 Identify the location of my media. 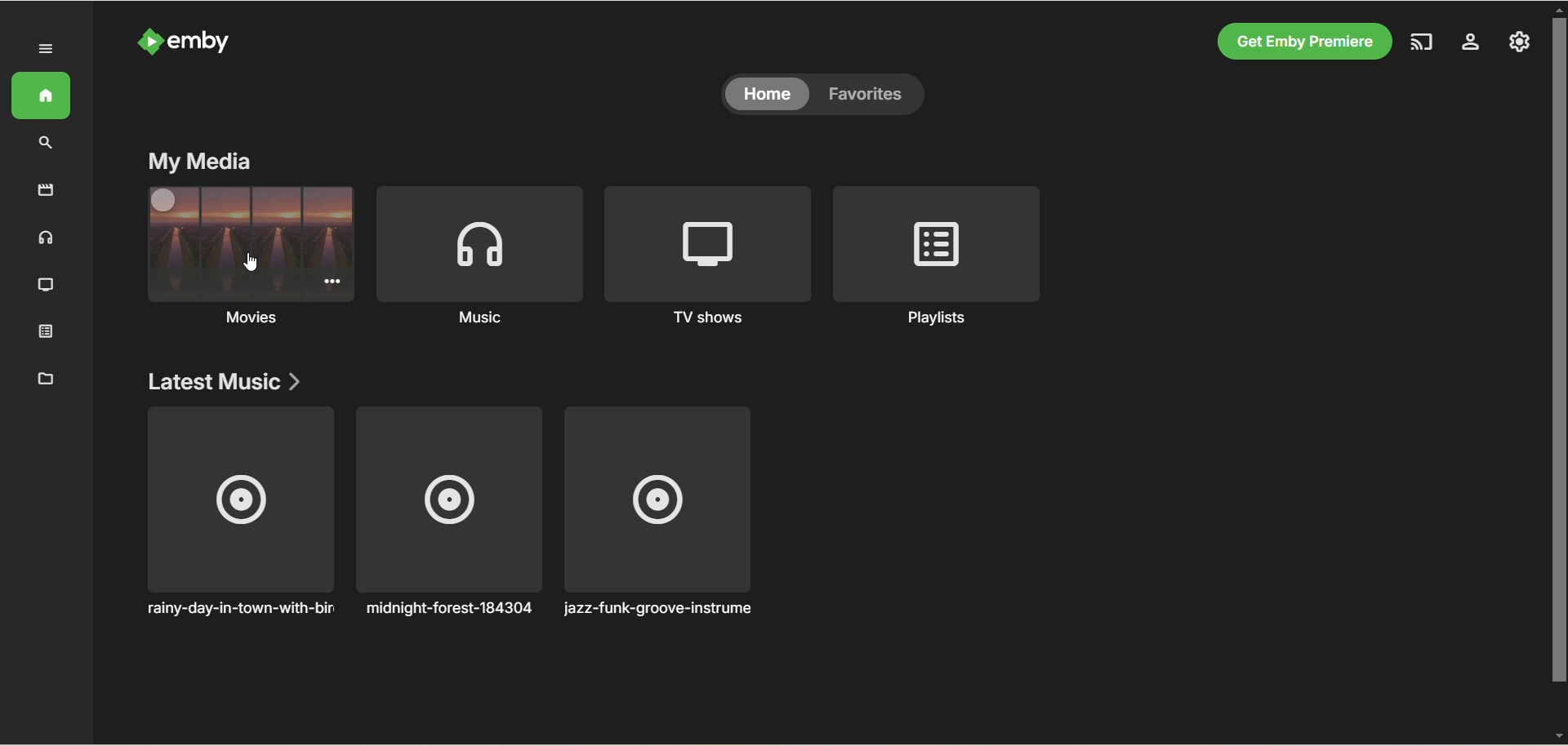
(200, 161).